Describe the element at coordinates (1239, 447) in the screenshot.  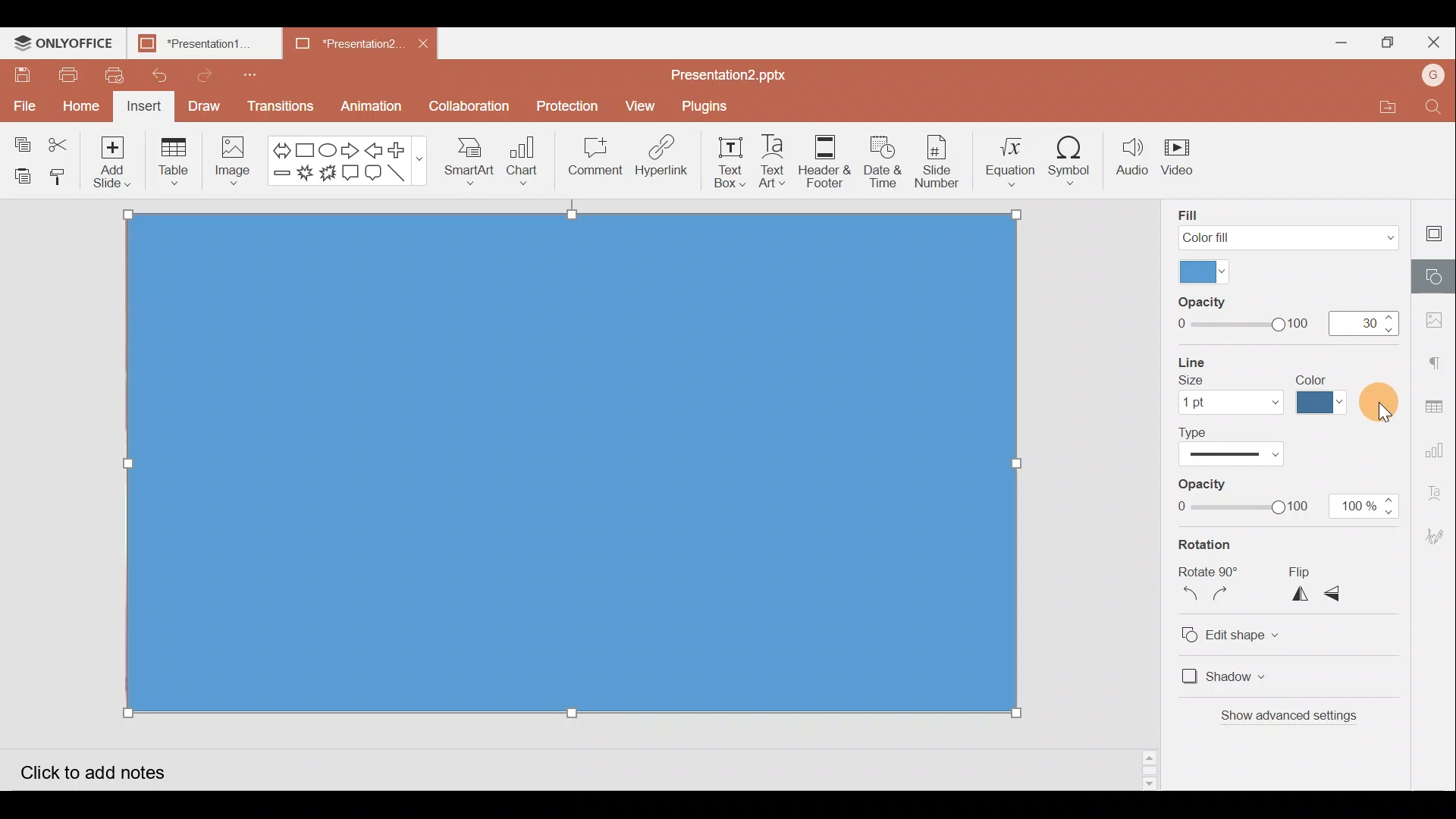
I see `Line type` at that location.